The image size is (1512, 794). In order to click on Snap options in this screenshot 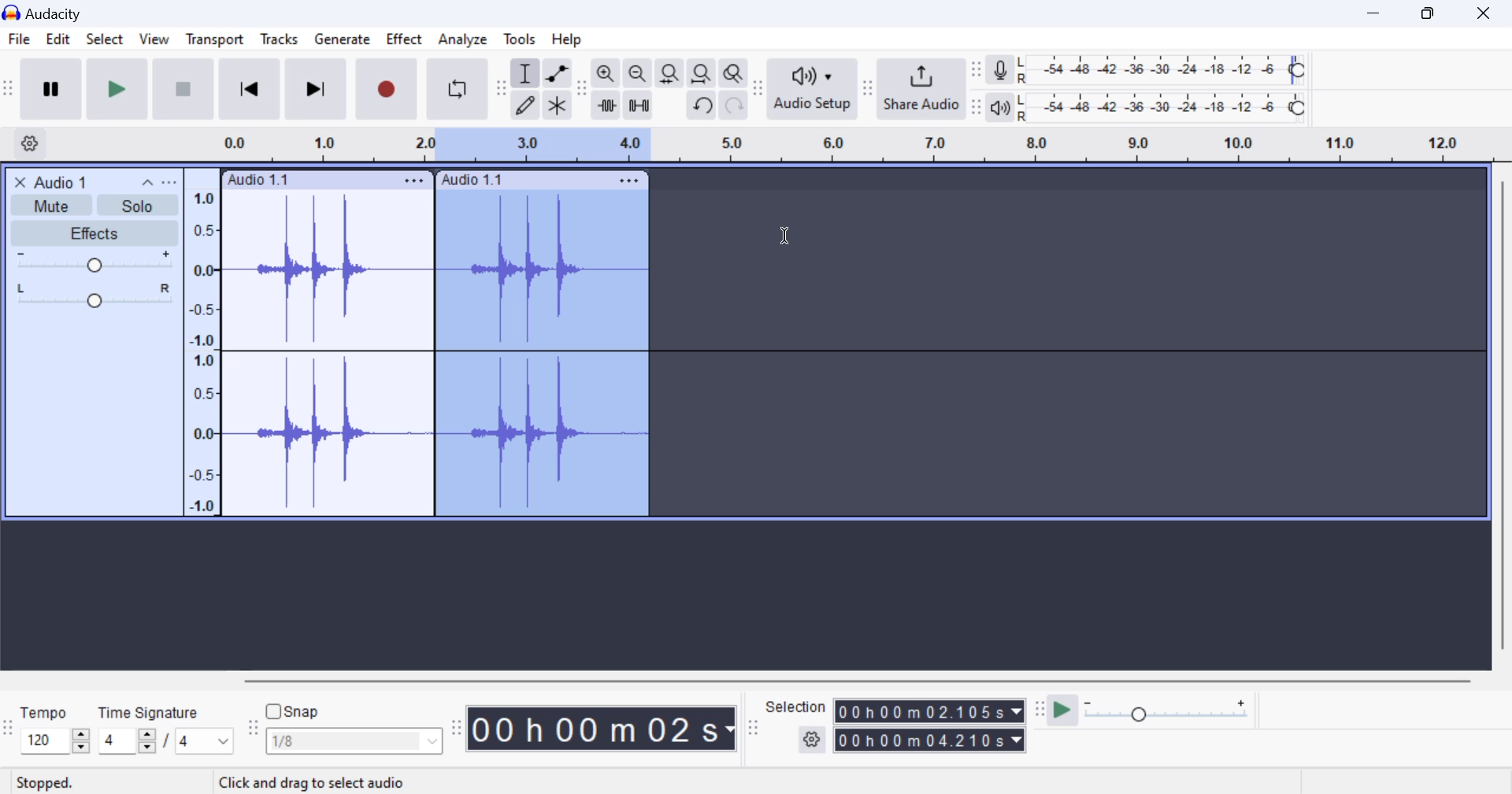, I will do `click(356, 744)`.